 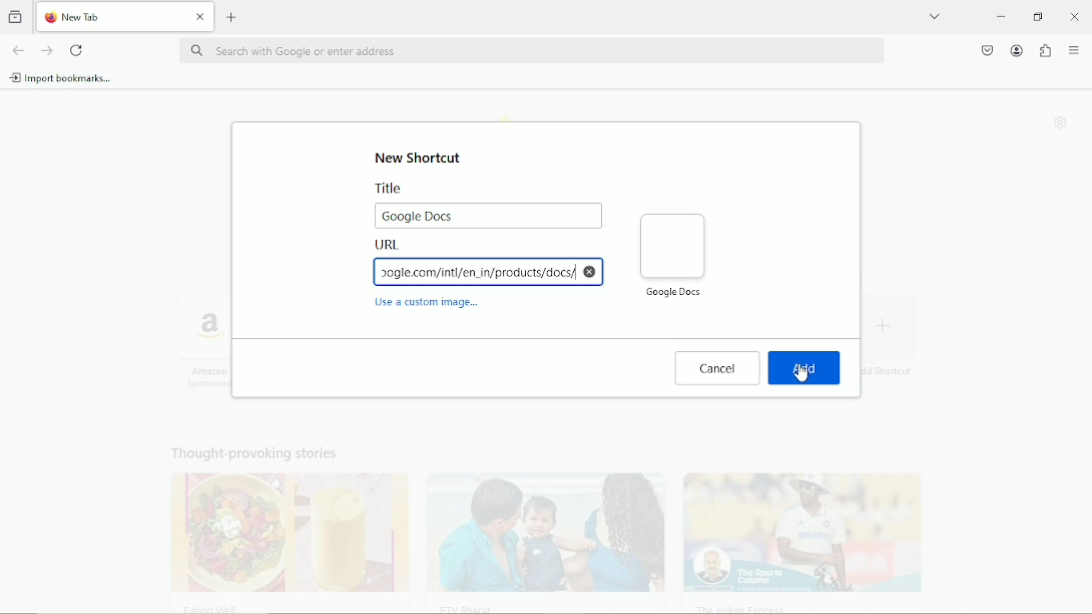 What do you see at coordinates (232, 16) in the screenshot?
I see `new tab` at bounding box center [232, 16].